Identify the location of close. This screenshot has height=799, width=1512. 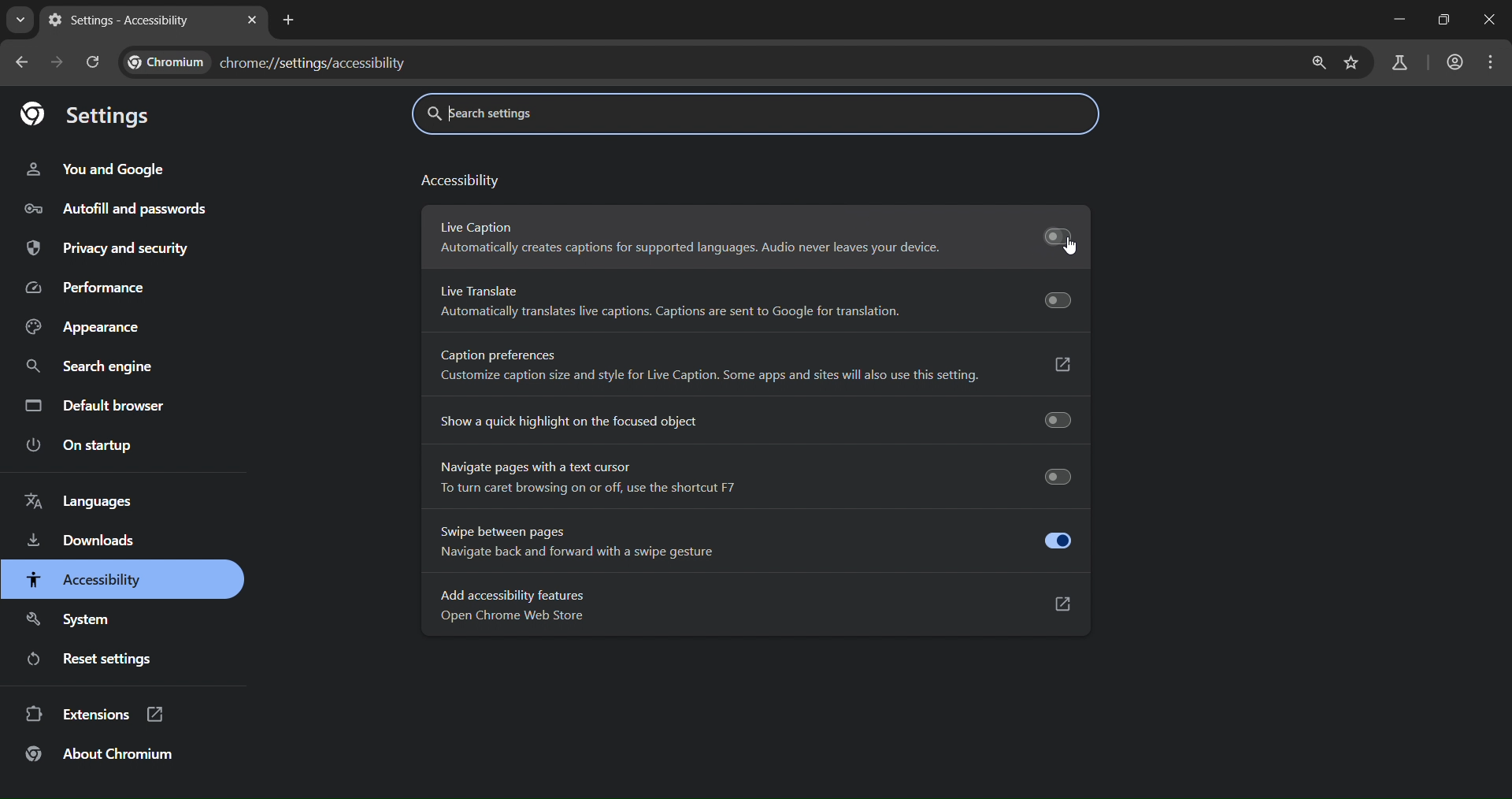
(1488, 20).